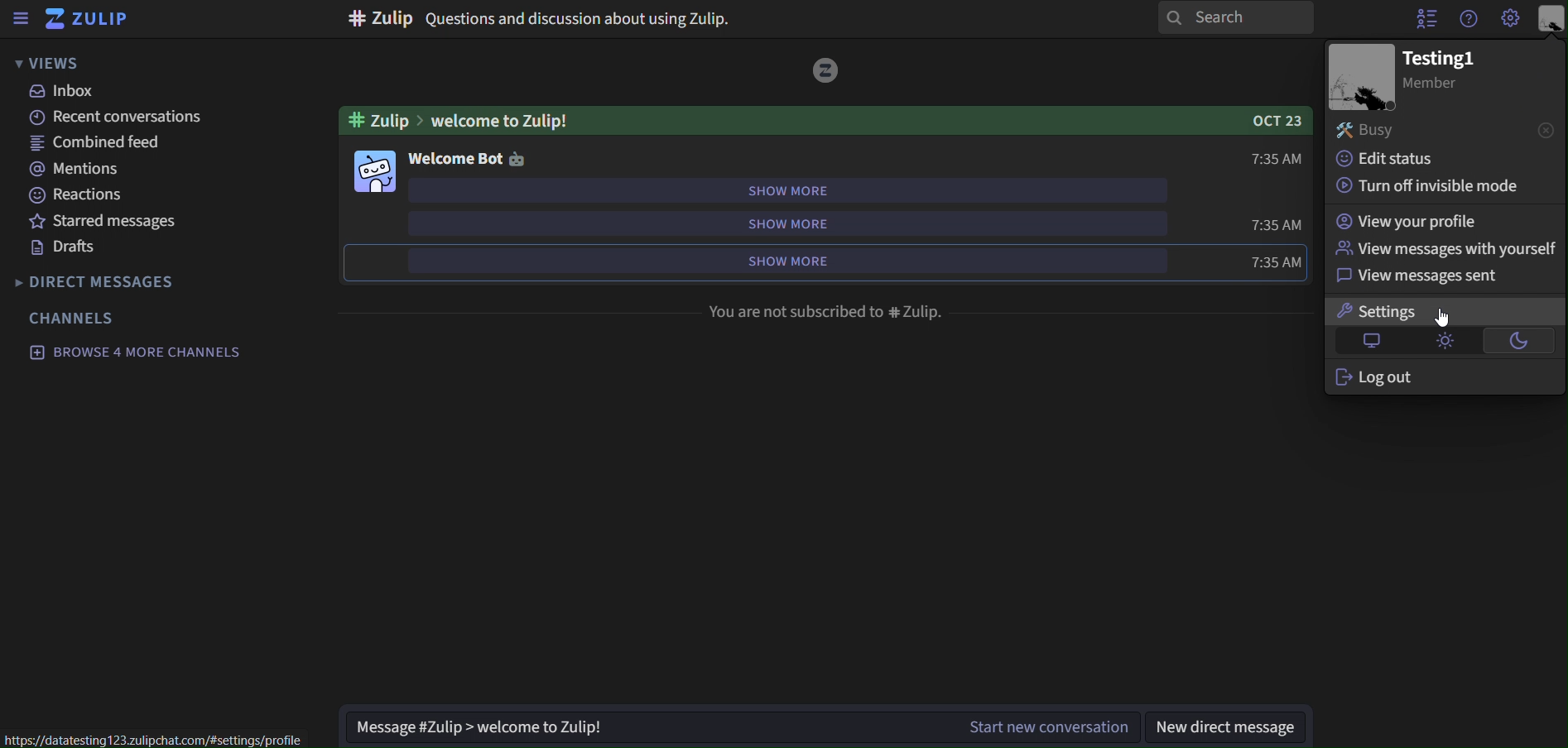 The width and height of the screenshot is (1568, 748). Describe the element at coordinates (1434, 185) in the screenshot. I see `turn off invisible mode` at that location.